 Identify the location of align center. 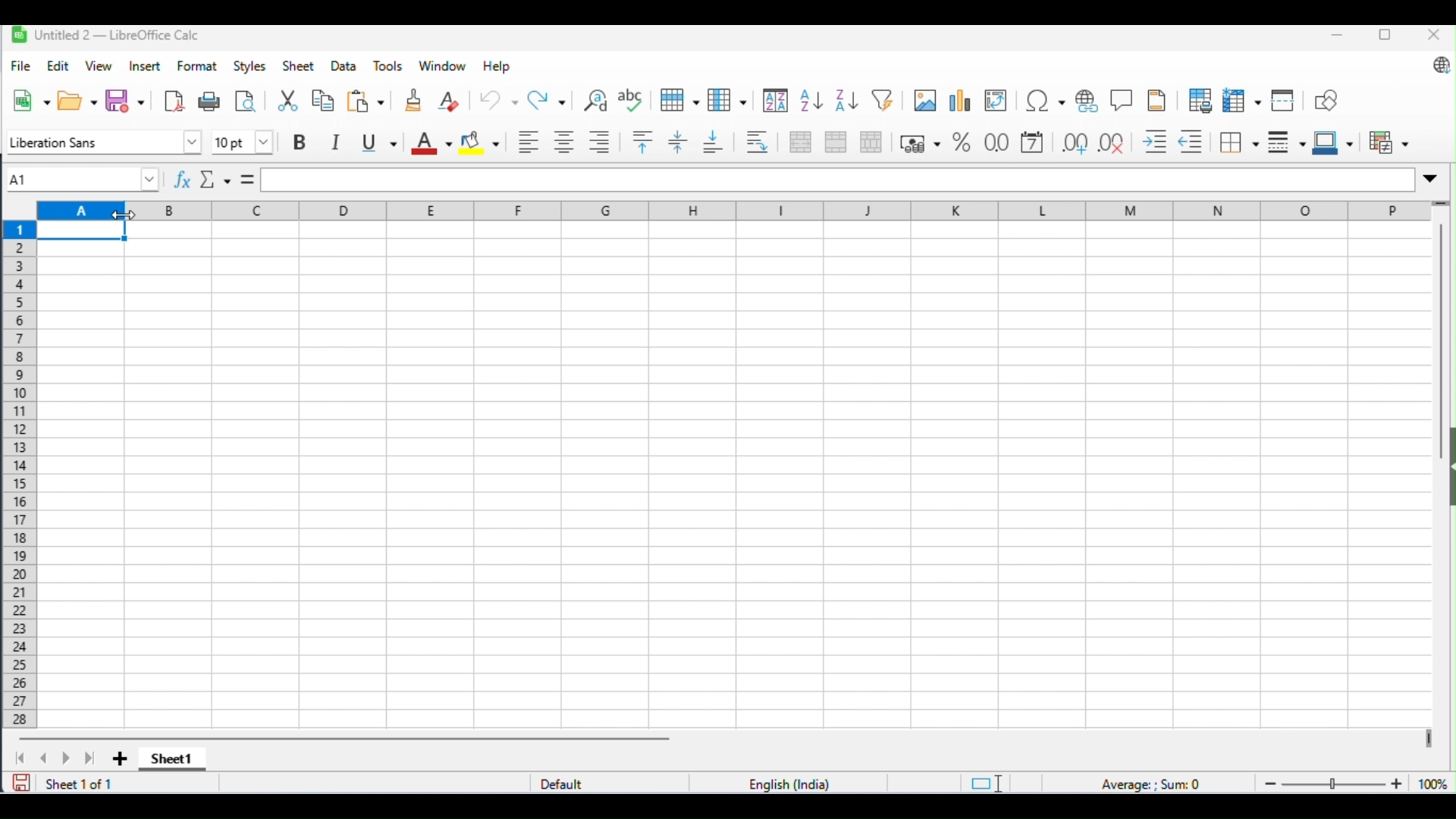
(564, 141).